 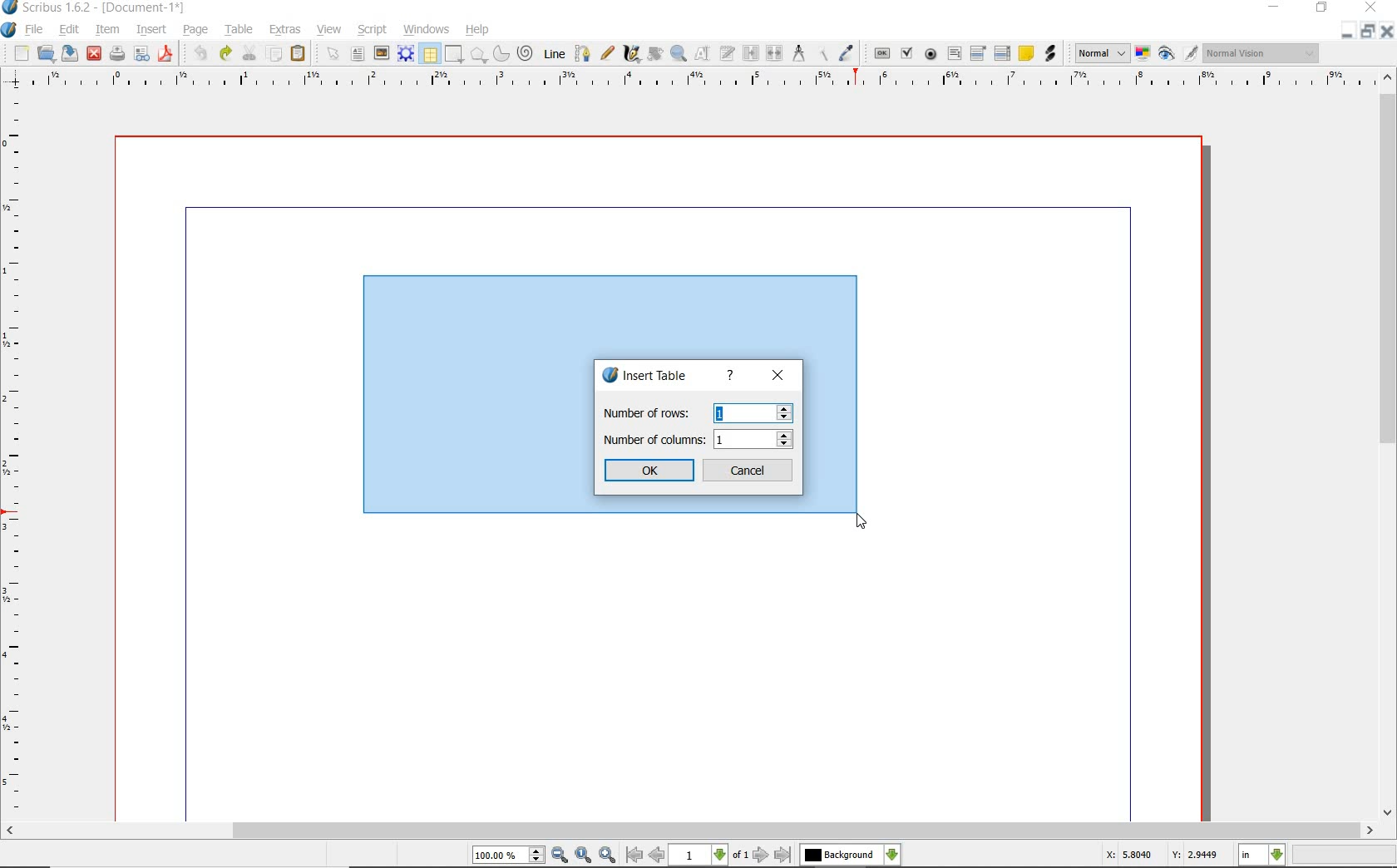 What do you see at coordinates (22, 55) in the screenshot?
I see `new` at bounding box center [22, 55].